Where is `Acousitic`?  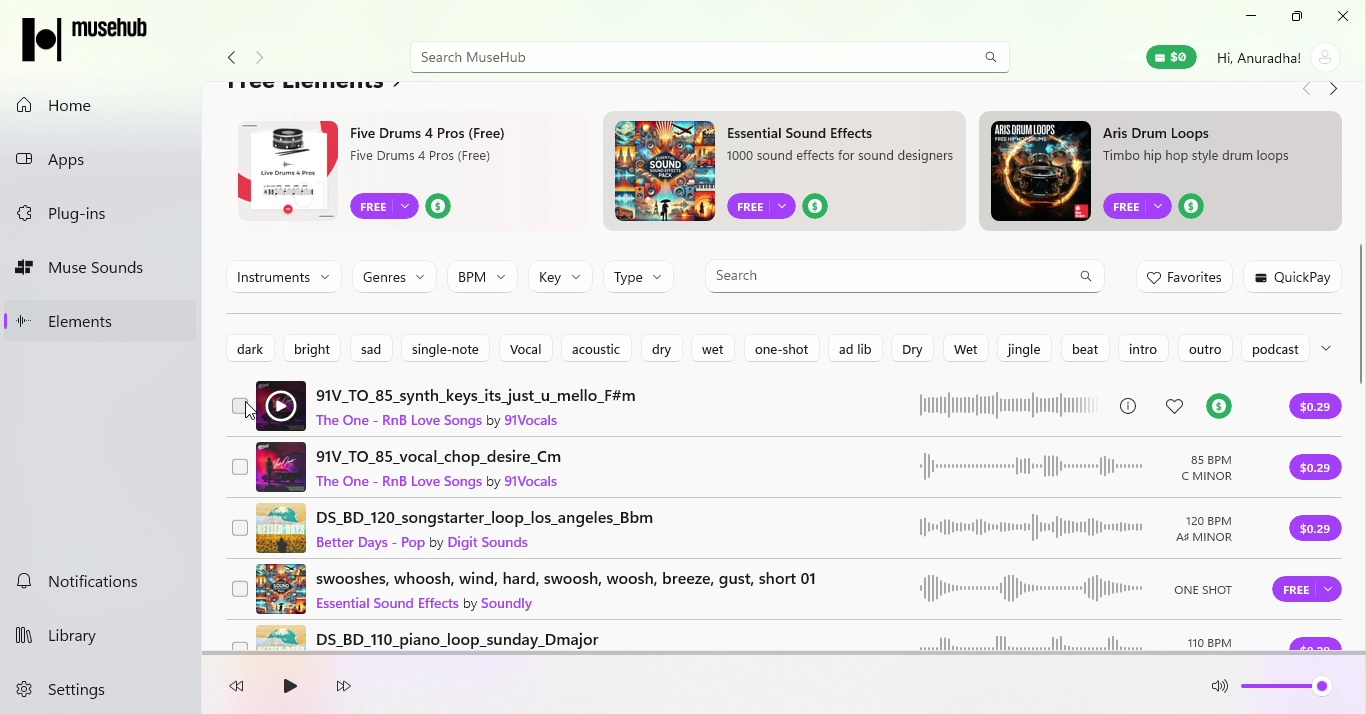
Acousitic is located at coordinates (595, 349).